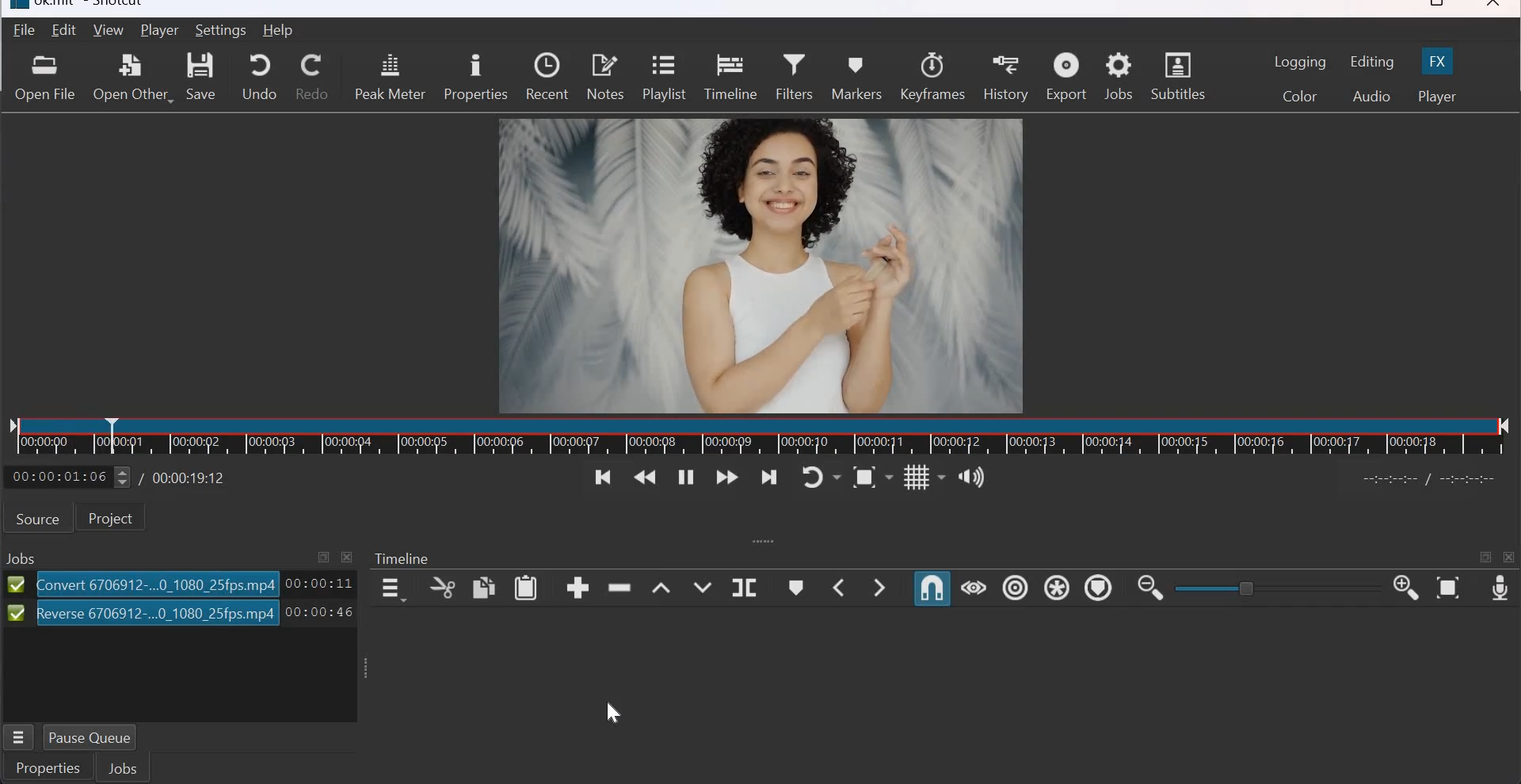  I want to click on cut, so click(444, 588).